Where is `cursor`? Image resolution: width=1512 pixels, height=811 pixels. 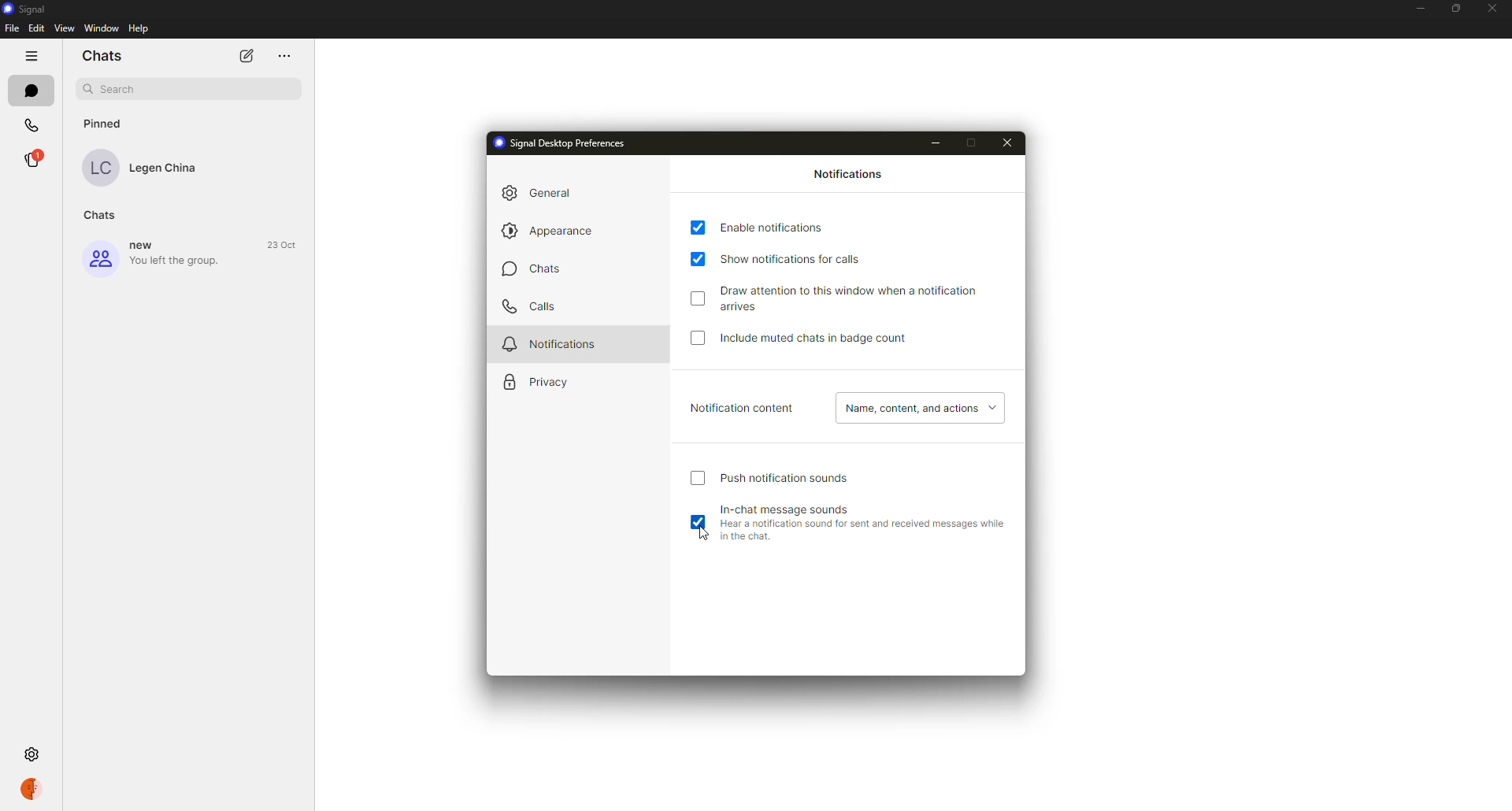
cursor is located at coordinates (705, 533).